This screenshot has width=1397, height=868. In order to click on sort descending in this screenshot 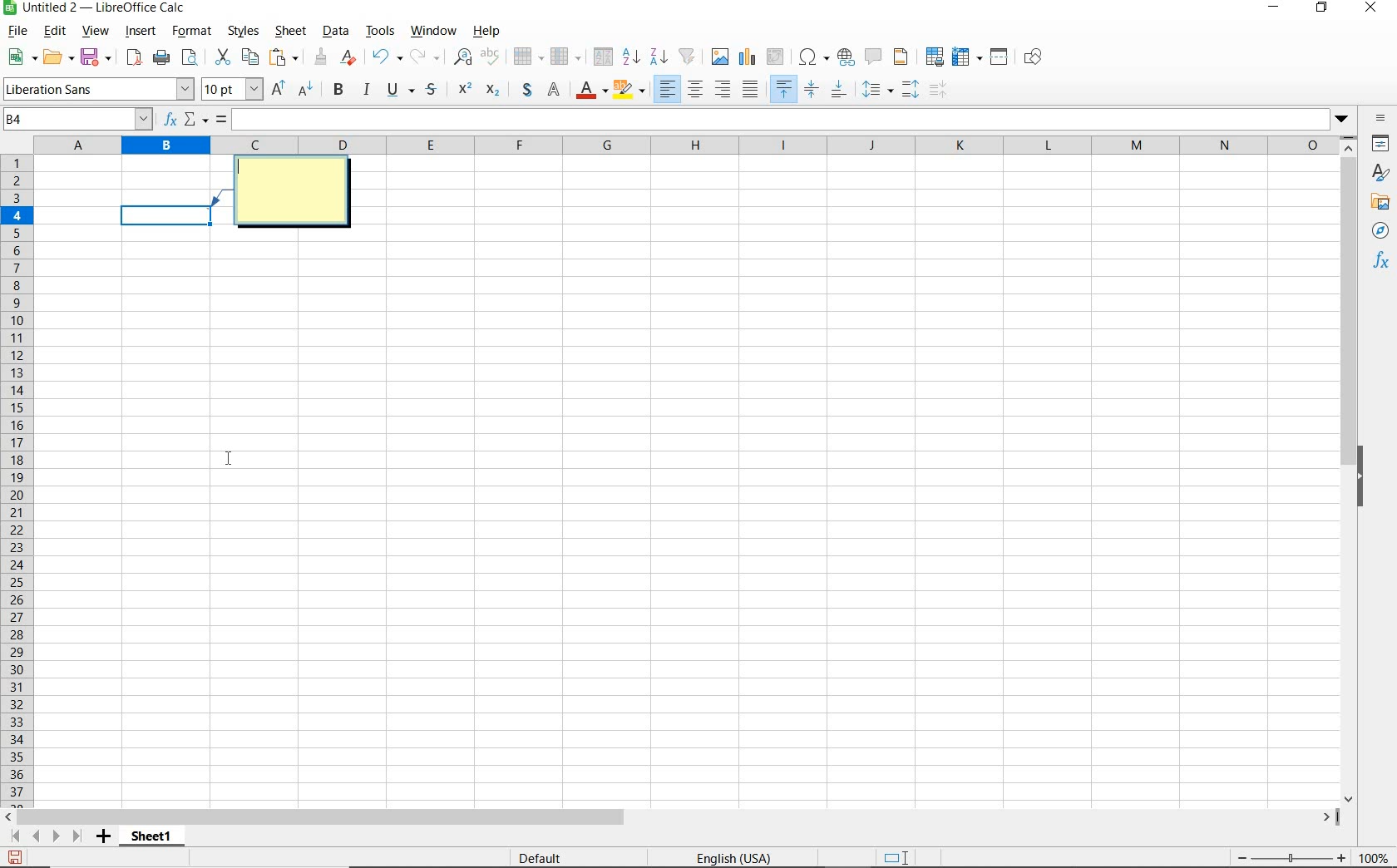, I will do `click(660, 59)`.